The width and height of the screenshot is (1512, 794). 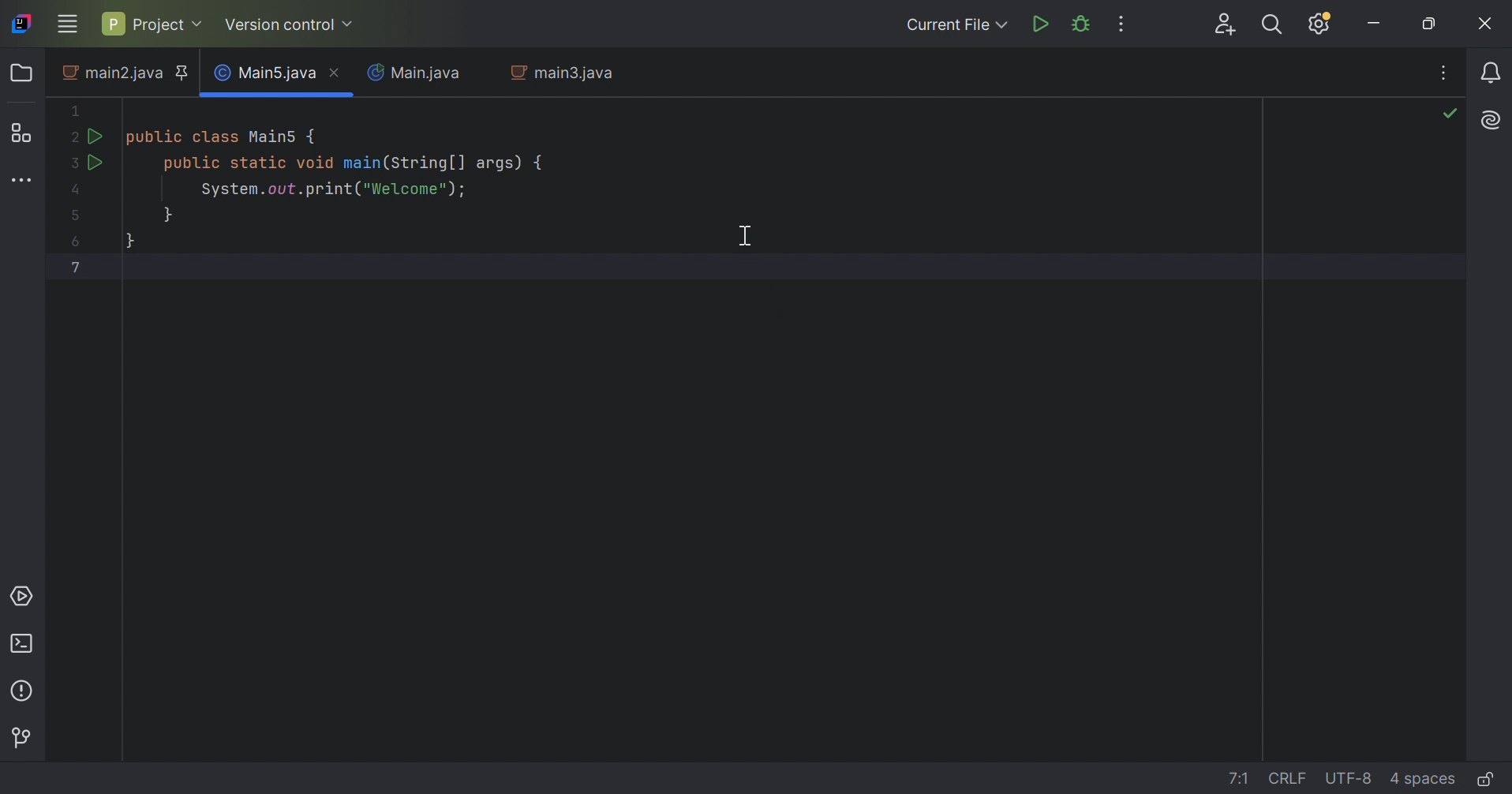 What do you see at coordinates (1445, 73) in the screenshot?
I see `Recent files, tab actions, and more` at bounding box center [1445, 73].